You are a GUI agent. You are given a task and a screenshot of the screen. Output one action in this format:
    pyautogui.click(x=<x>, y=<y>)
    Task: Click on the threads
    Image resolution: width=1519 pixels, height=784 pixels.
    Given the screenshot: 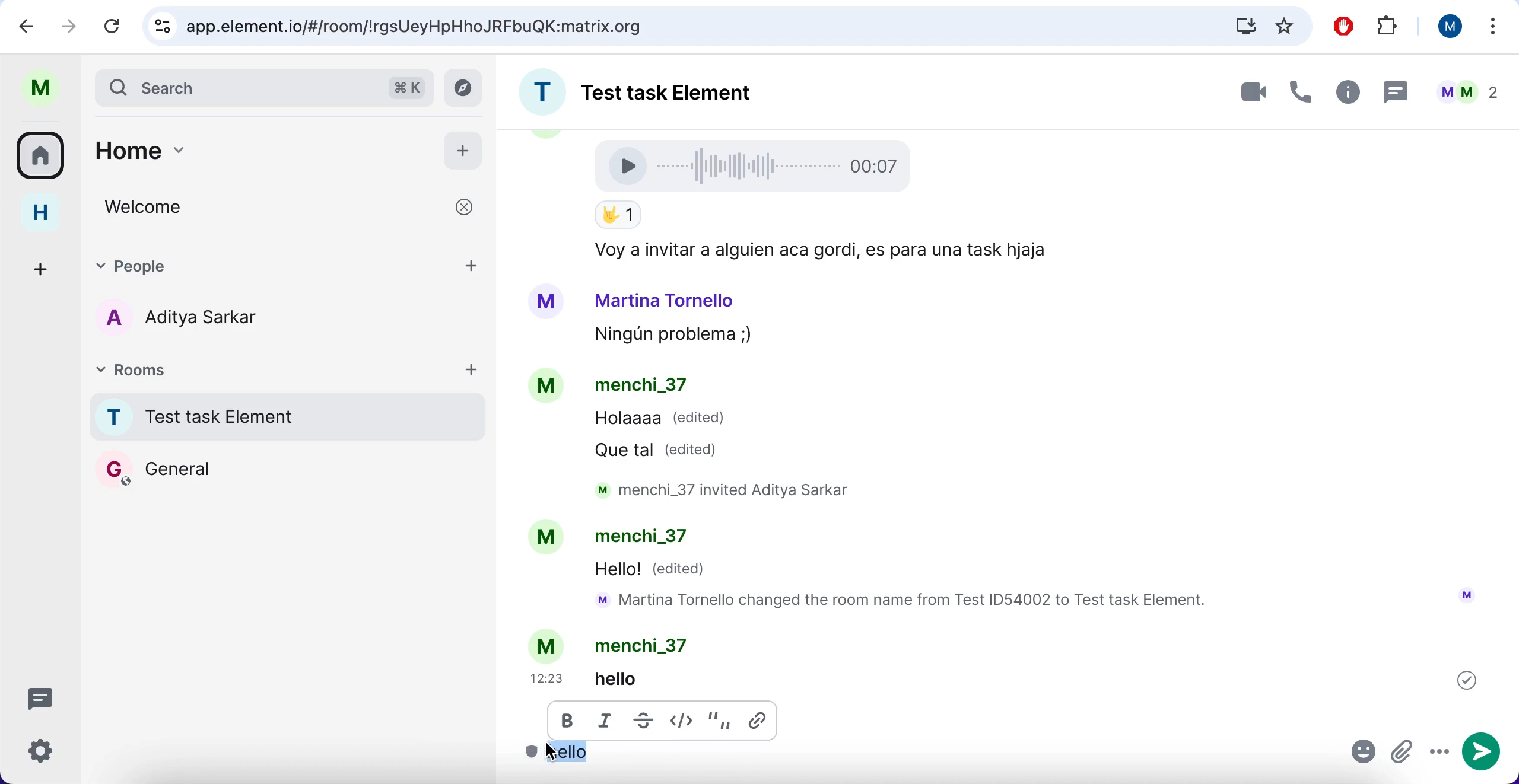 What is the action you would take?
    pyautogui.click(x=47, y=697)
    